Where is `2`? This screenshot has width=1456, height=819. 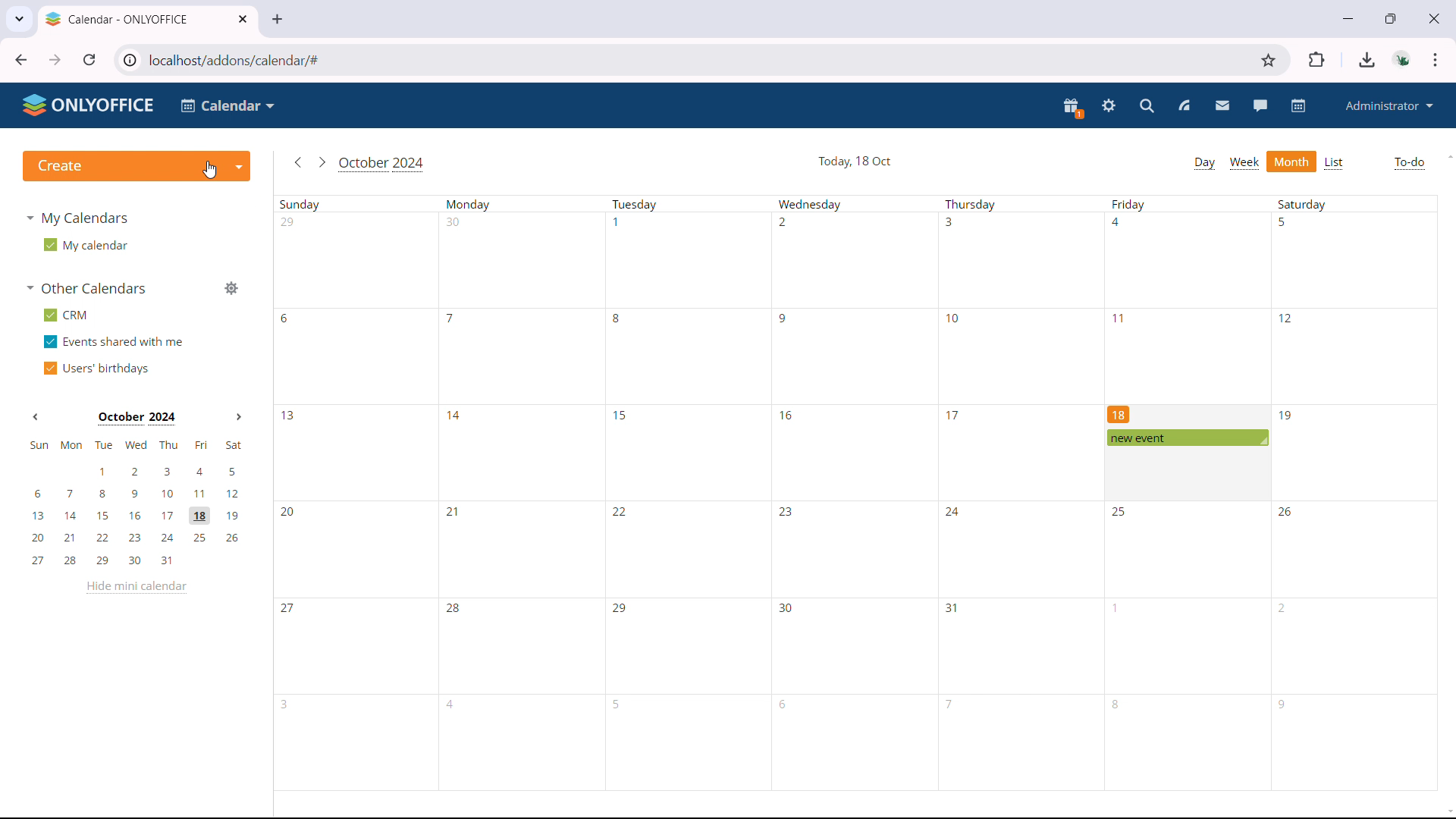
2 is located at coordinates (783, 222).